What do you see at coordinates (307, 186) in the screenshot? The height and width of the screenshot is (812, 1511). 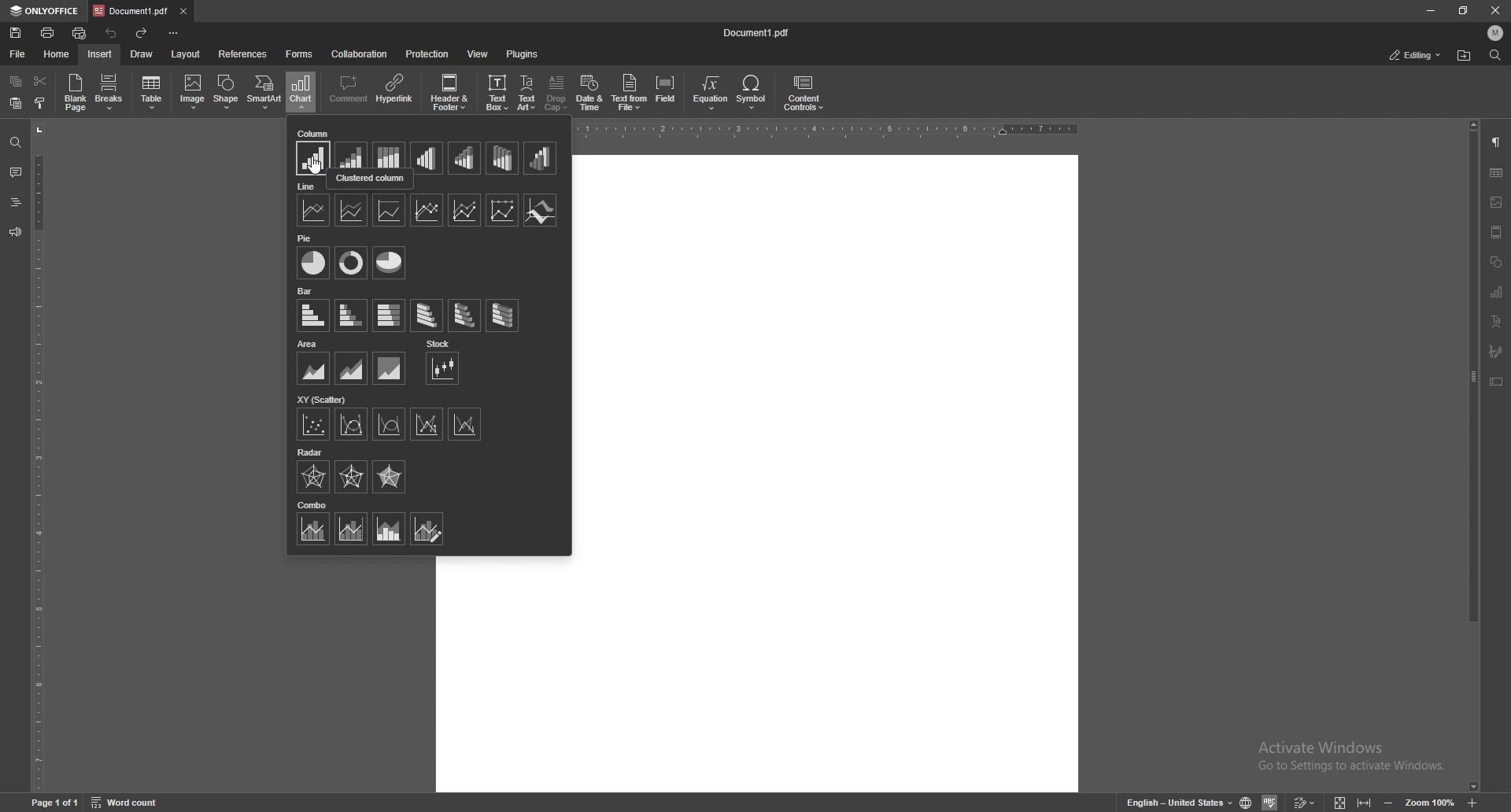 I see `line` at bounding box center [307, 186].